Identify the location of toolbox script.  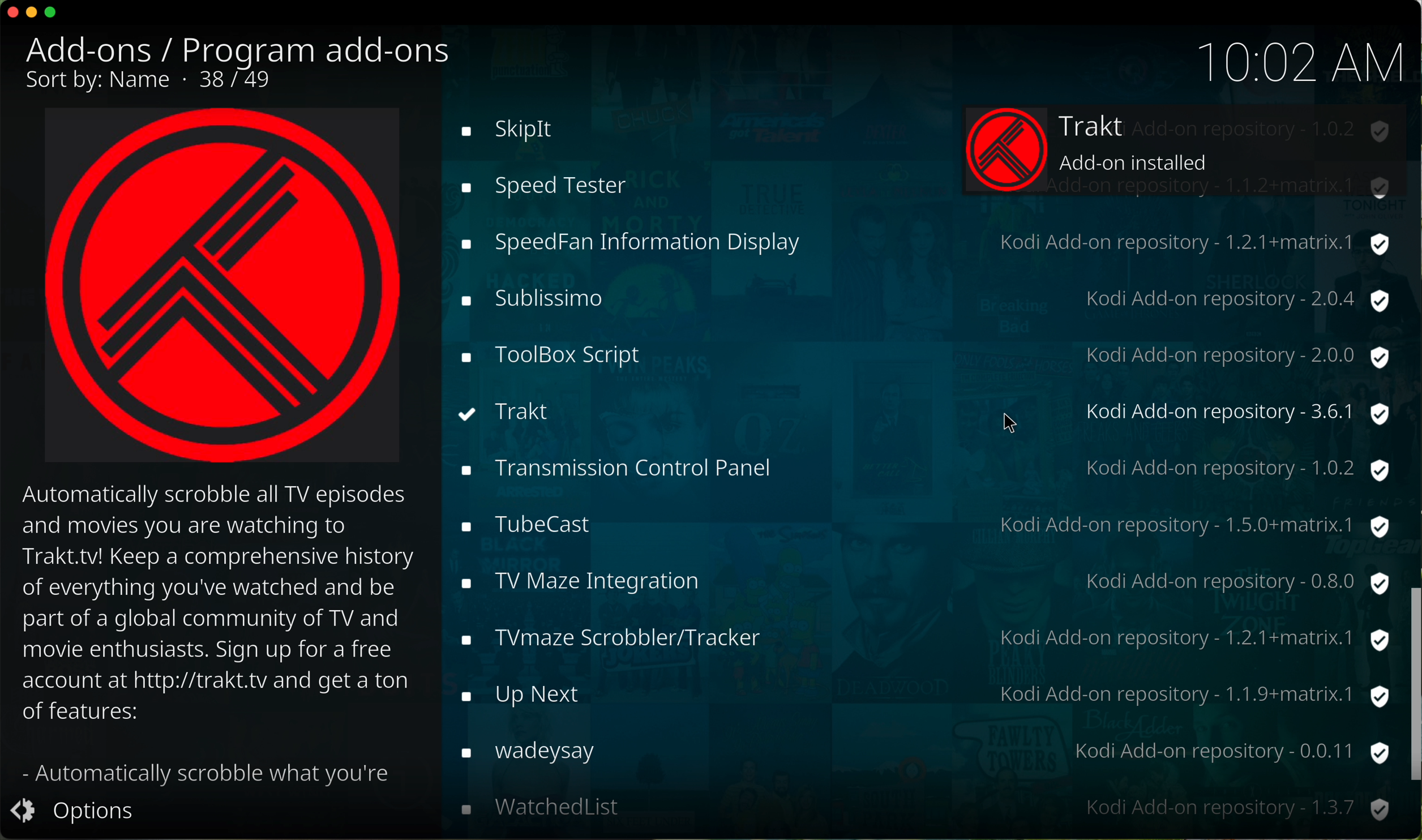
(705, 130).